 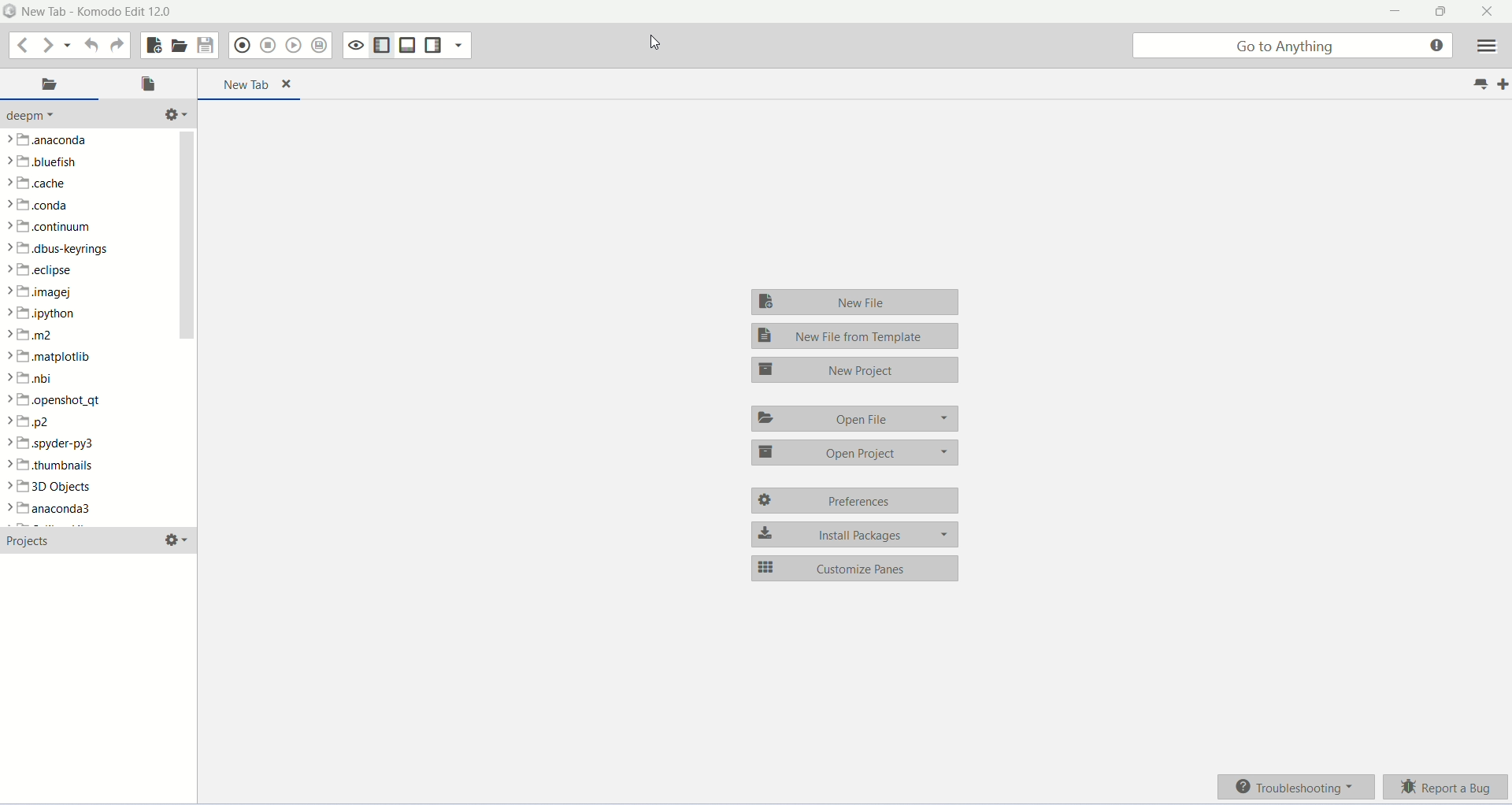 What do you see at coordinates (35, 335) in the screenshot?
I see `m2` at bounding box center [35, 335].